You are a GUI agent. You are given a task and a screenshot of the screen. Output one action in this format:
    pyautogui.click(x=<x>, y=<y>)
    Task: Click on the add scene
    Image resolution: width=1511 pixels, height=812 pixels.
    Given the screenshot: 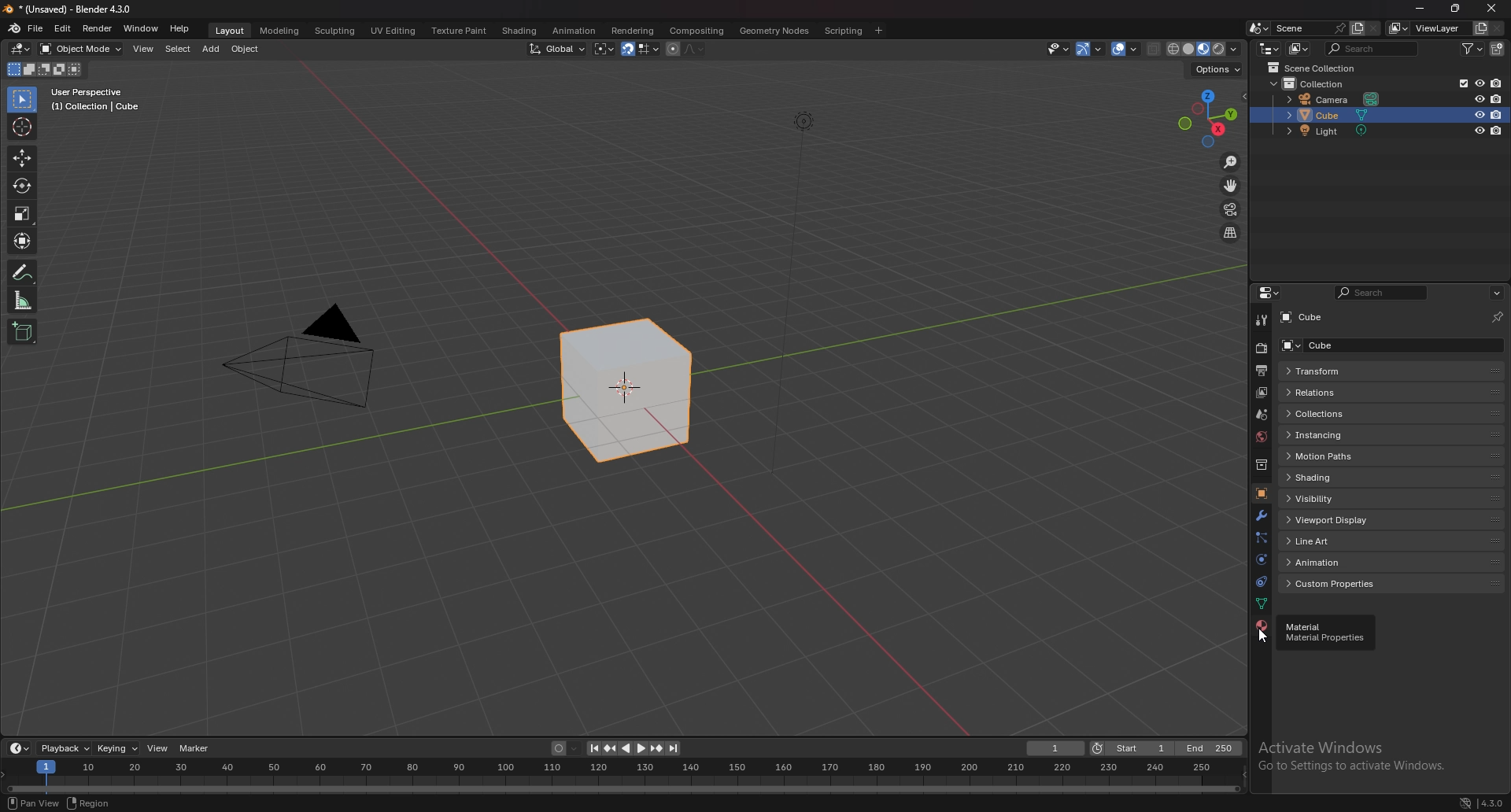 What is the action you would take?
    pyautogui.click(x=1355, y=28)
    